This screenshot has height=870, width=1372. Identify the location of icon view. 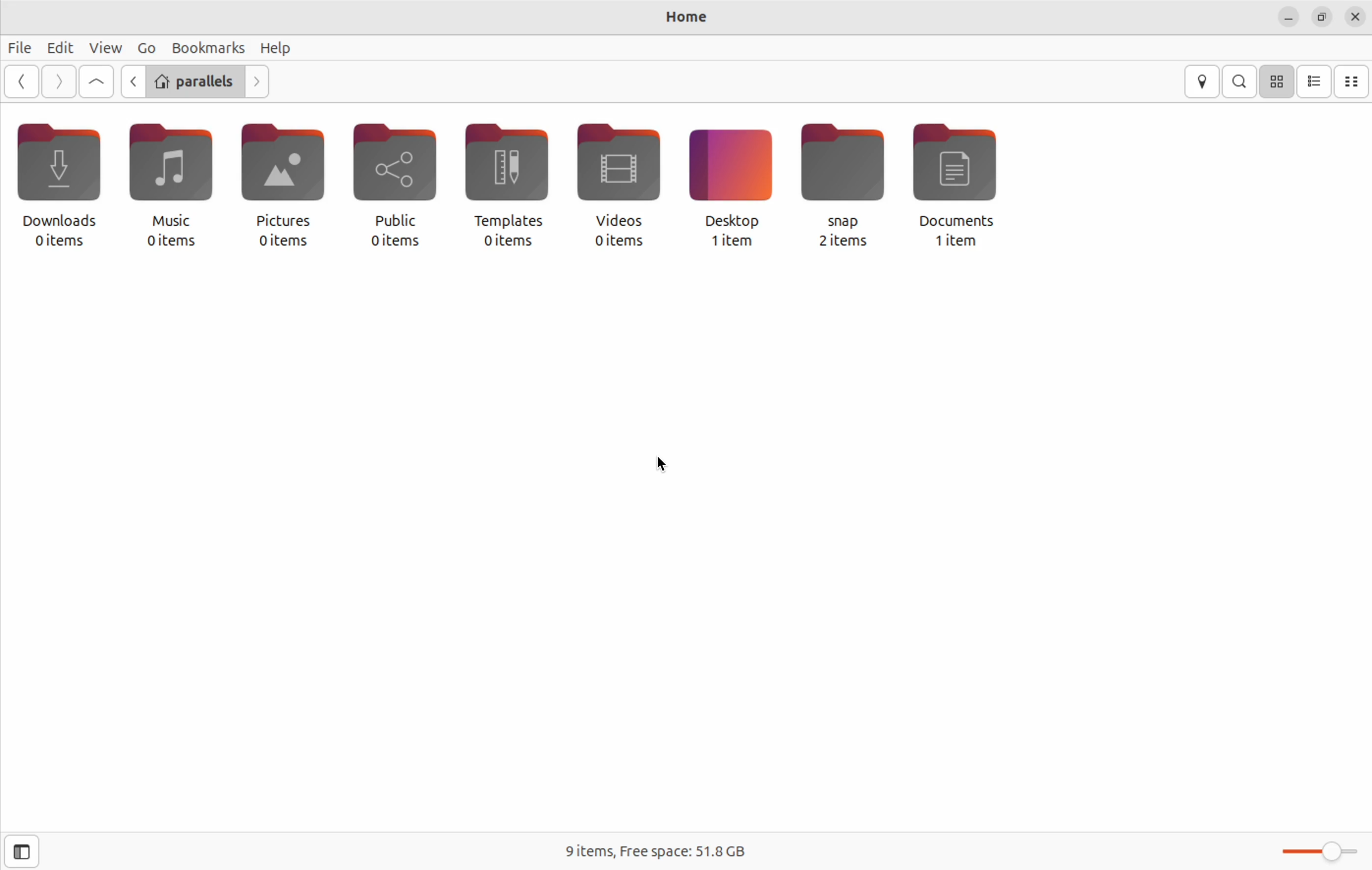
(1276, 82).